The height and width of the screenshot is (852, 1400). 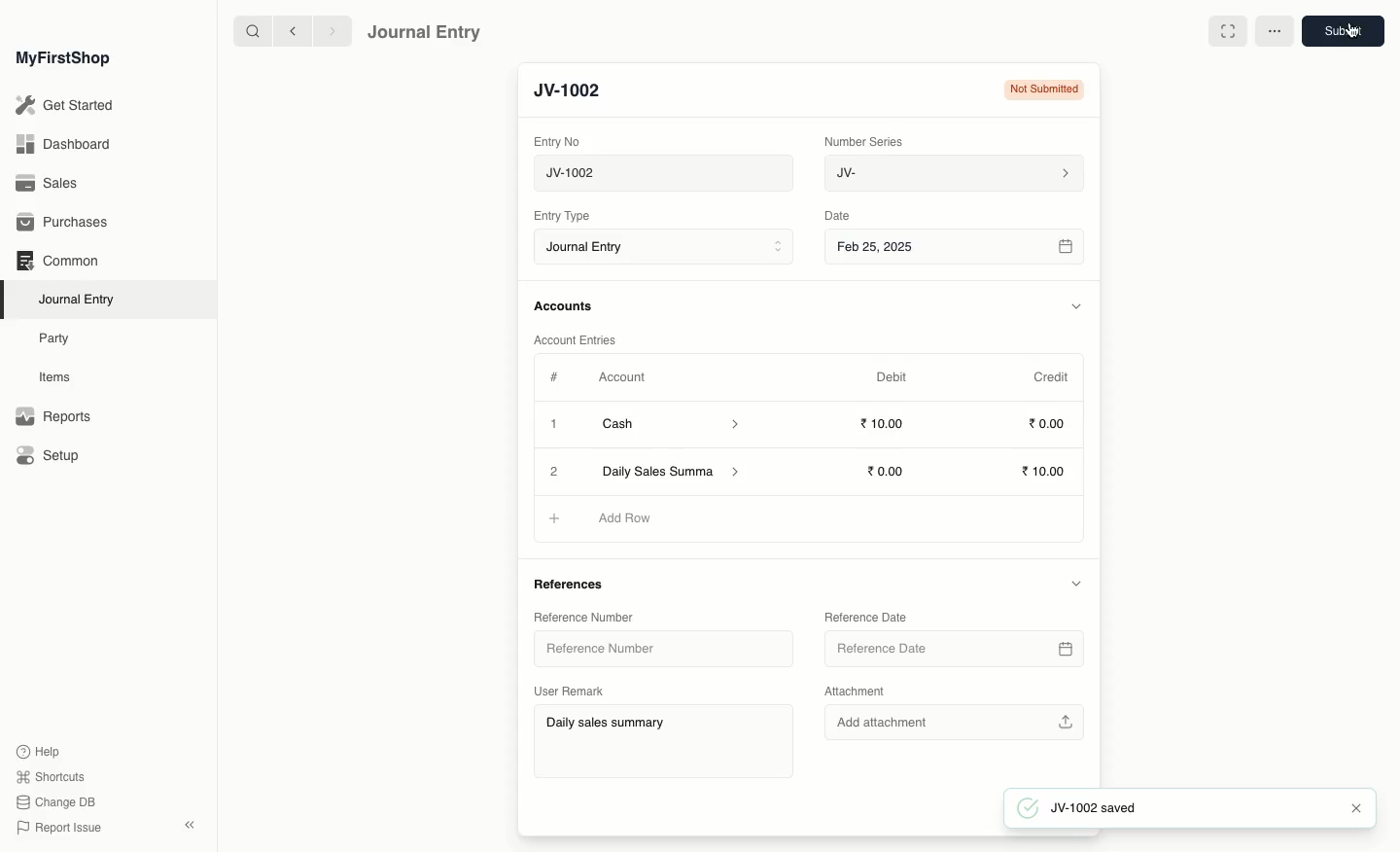 What do you see at coordinates (1048, 427) in the screenshot?
I see `0.00` at bounding box center [1048, 427].